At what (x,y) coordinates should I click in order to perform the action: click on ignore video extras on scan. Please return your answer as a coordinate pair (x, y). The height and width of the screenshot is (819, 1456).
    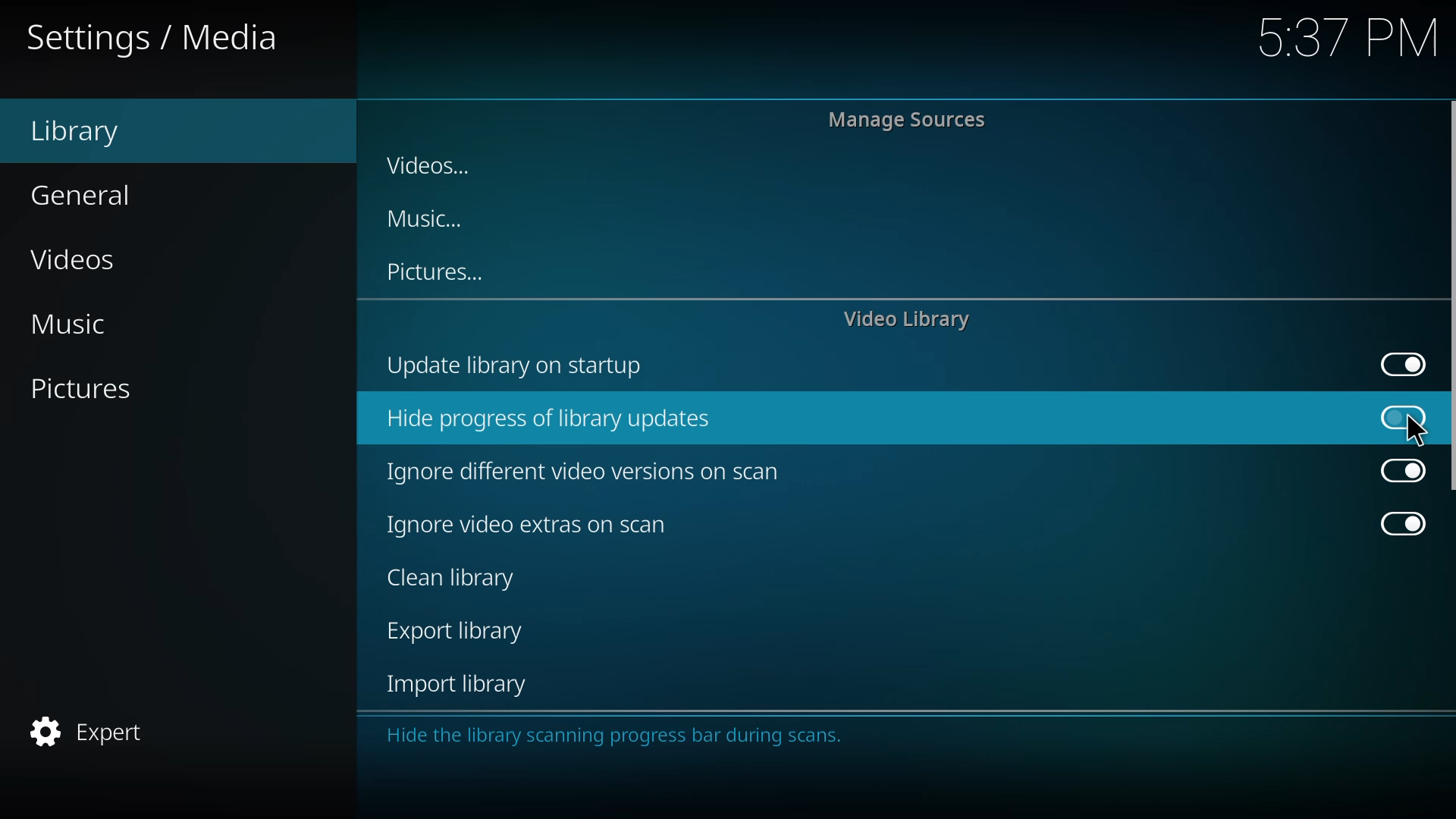
    Looking at the image, I should click on (519, 523).